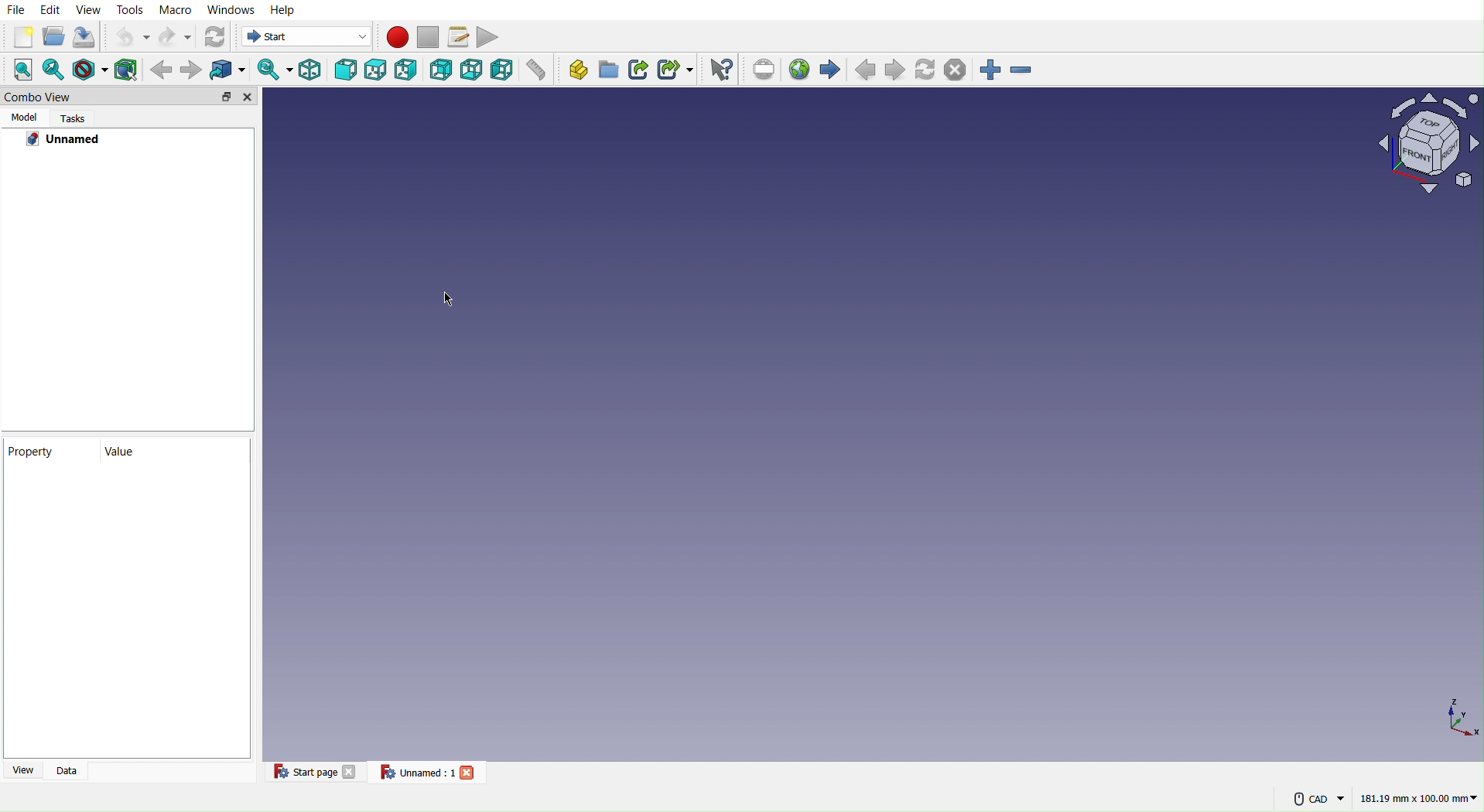  Describe the element at coordinates (129, 97) in the screenshot. I see `Combo View` at that location.